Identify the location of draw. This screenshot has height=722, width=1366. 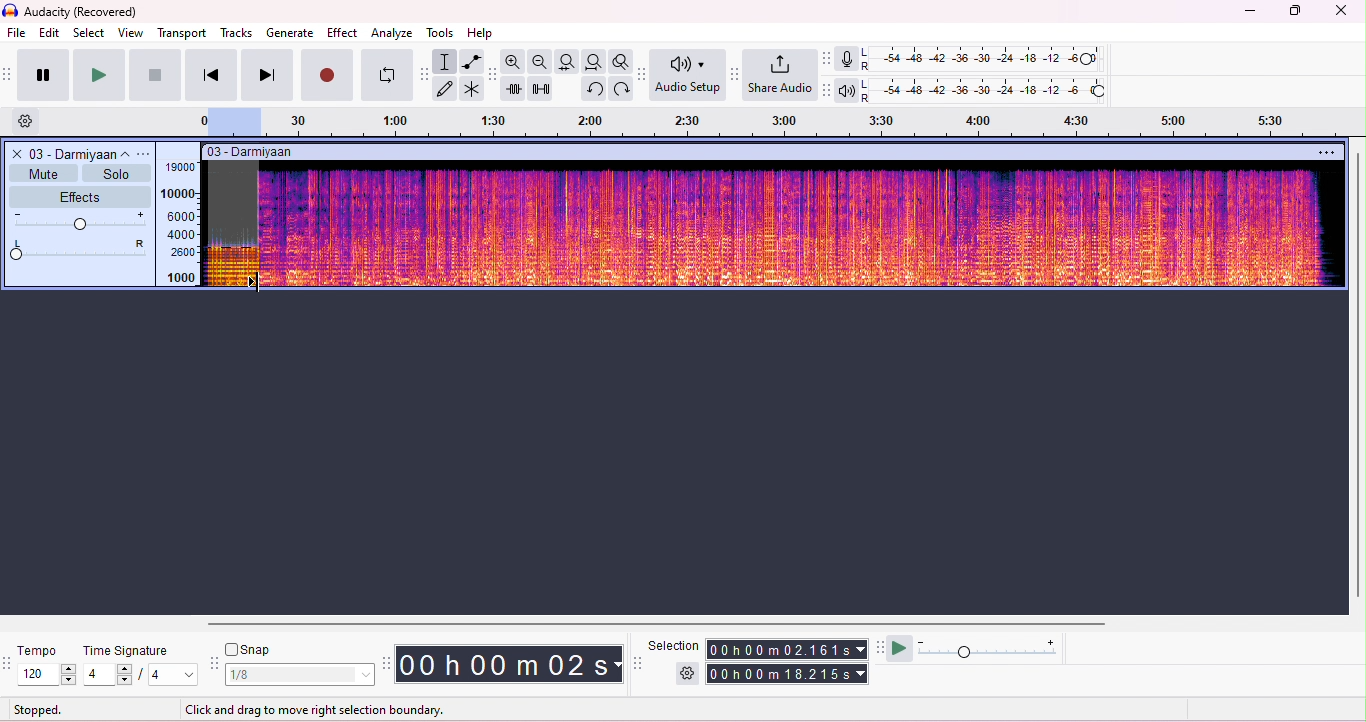
(447, 88).